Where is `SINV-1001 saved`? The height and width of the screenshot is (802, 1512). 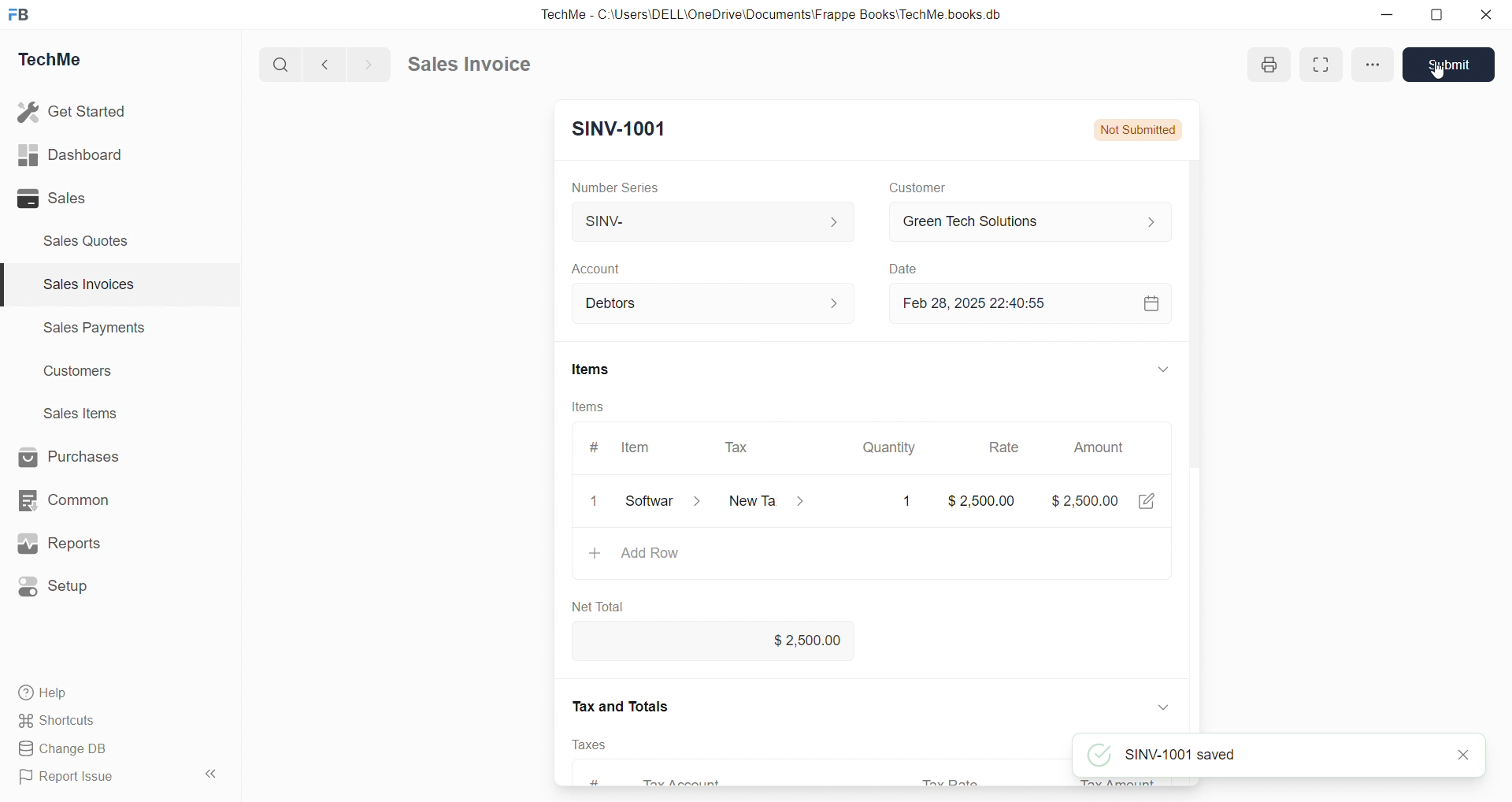
SINV-1001 saved is located at coordinates (1203, 752).